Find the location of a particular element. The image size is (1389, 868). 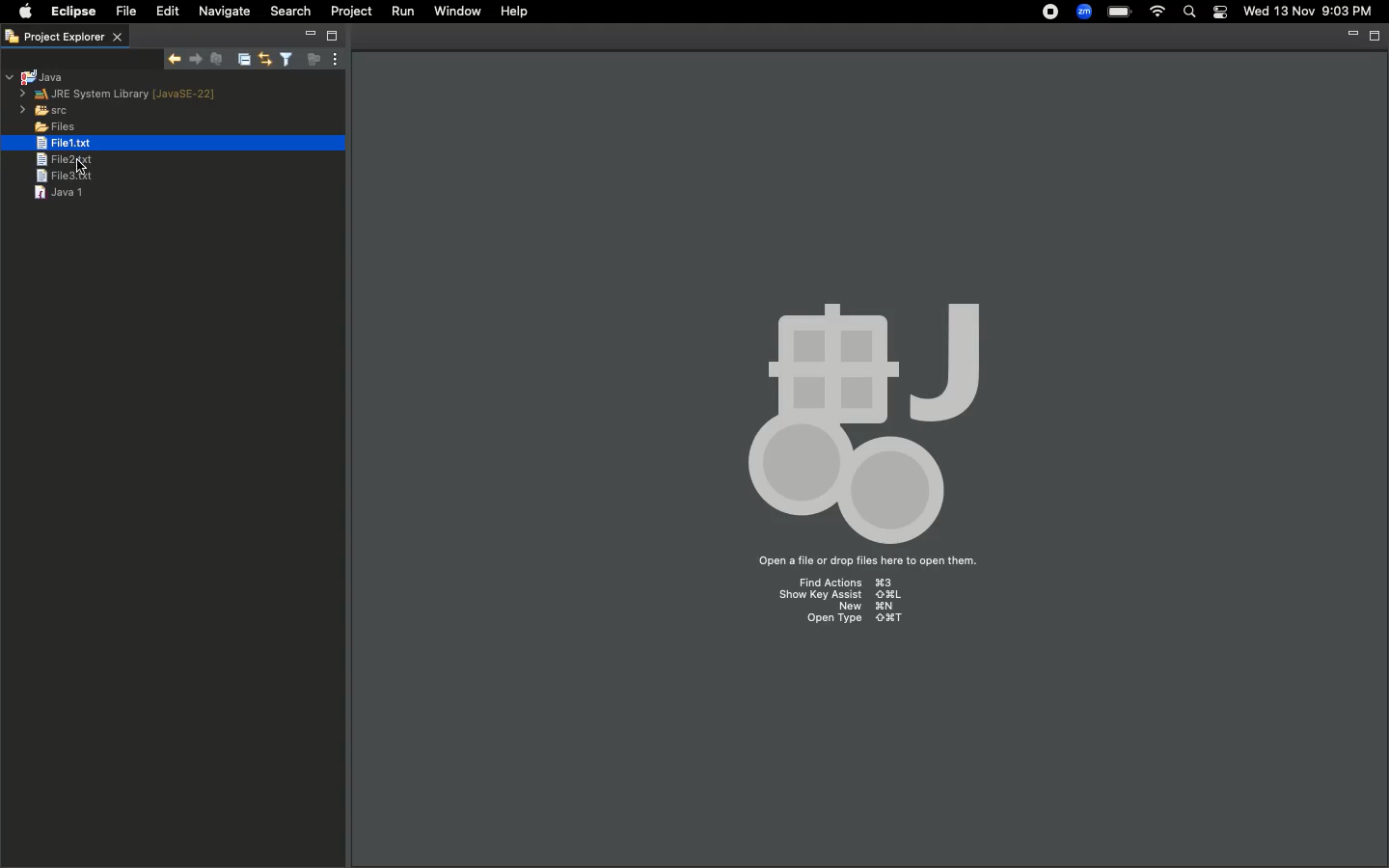

Project is located at coordinates (352, 12).